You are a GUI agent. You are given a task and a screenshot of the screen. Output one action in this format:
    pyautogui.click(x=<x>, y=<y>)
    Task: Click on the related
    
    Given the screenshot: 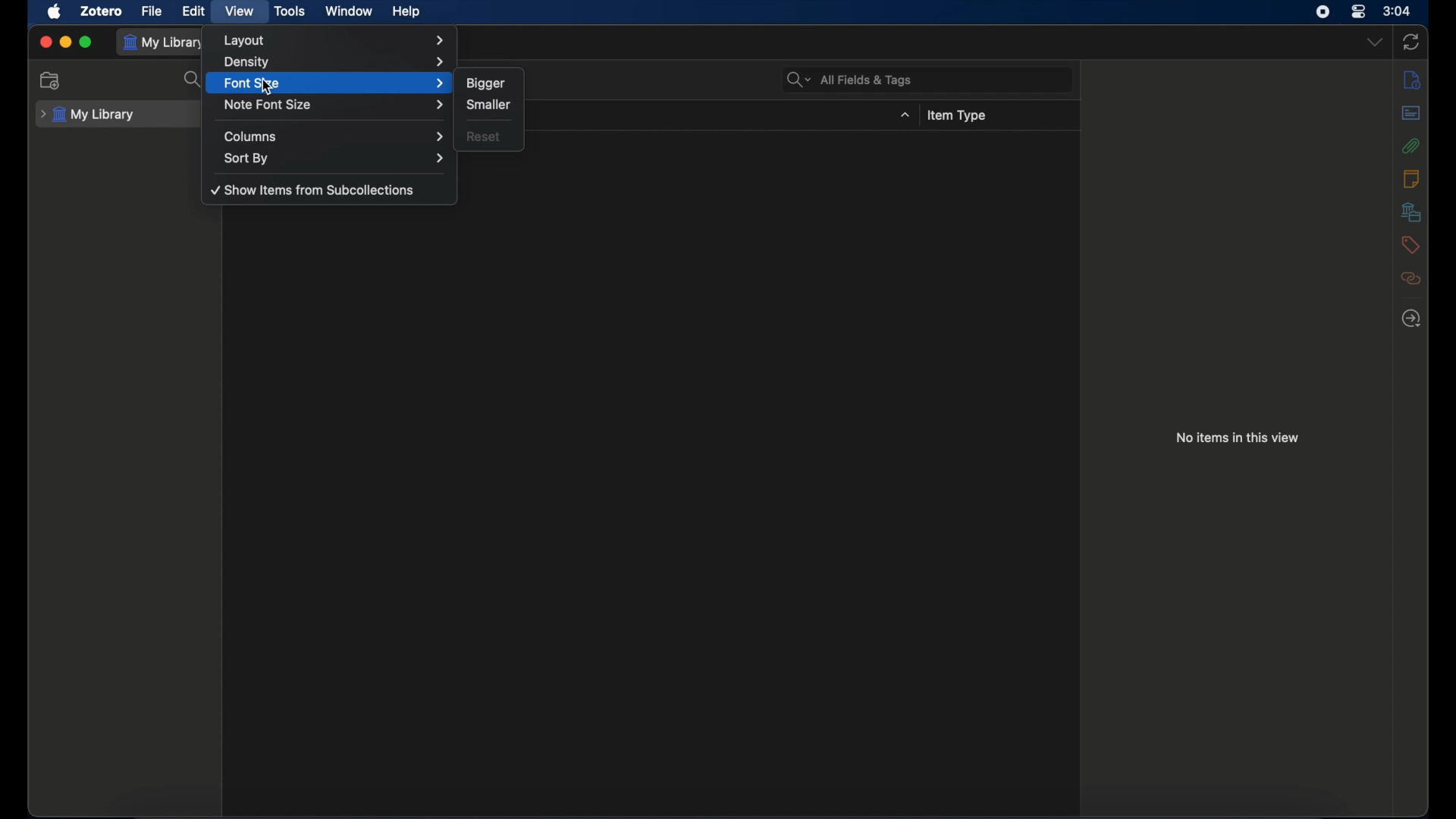 What is the action you would take?
    pyautogui.click(x=1410, y=278)
    